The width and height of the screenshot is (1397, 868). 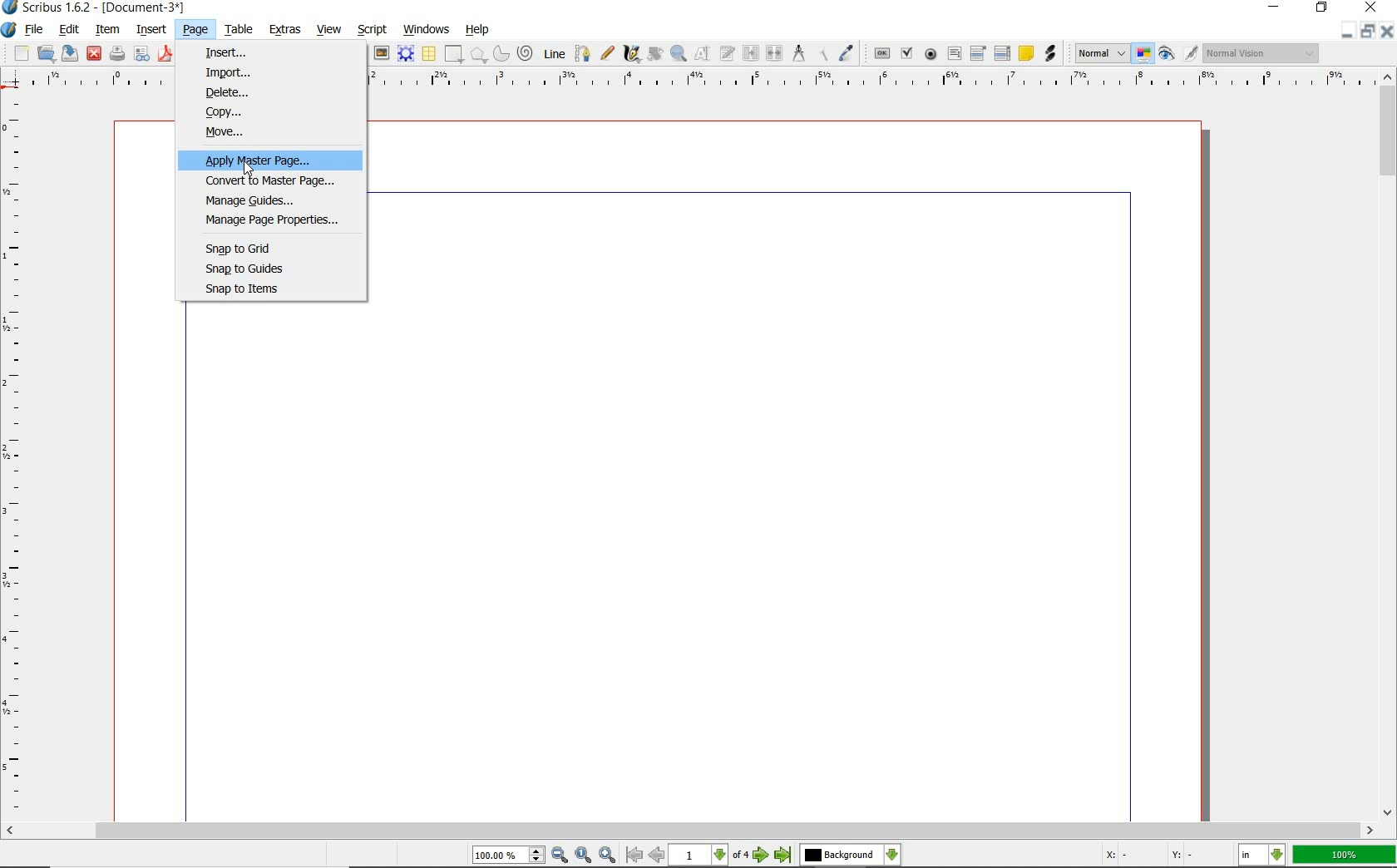 I want to click on manage guides, so click(x=252, y=200).